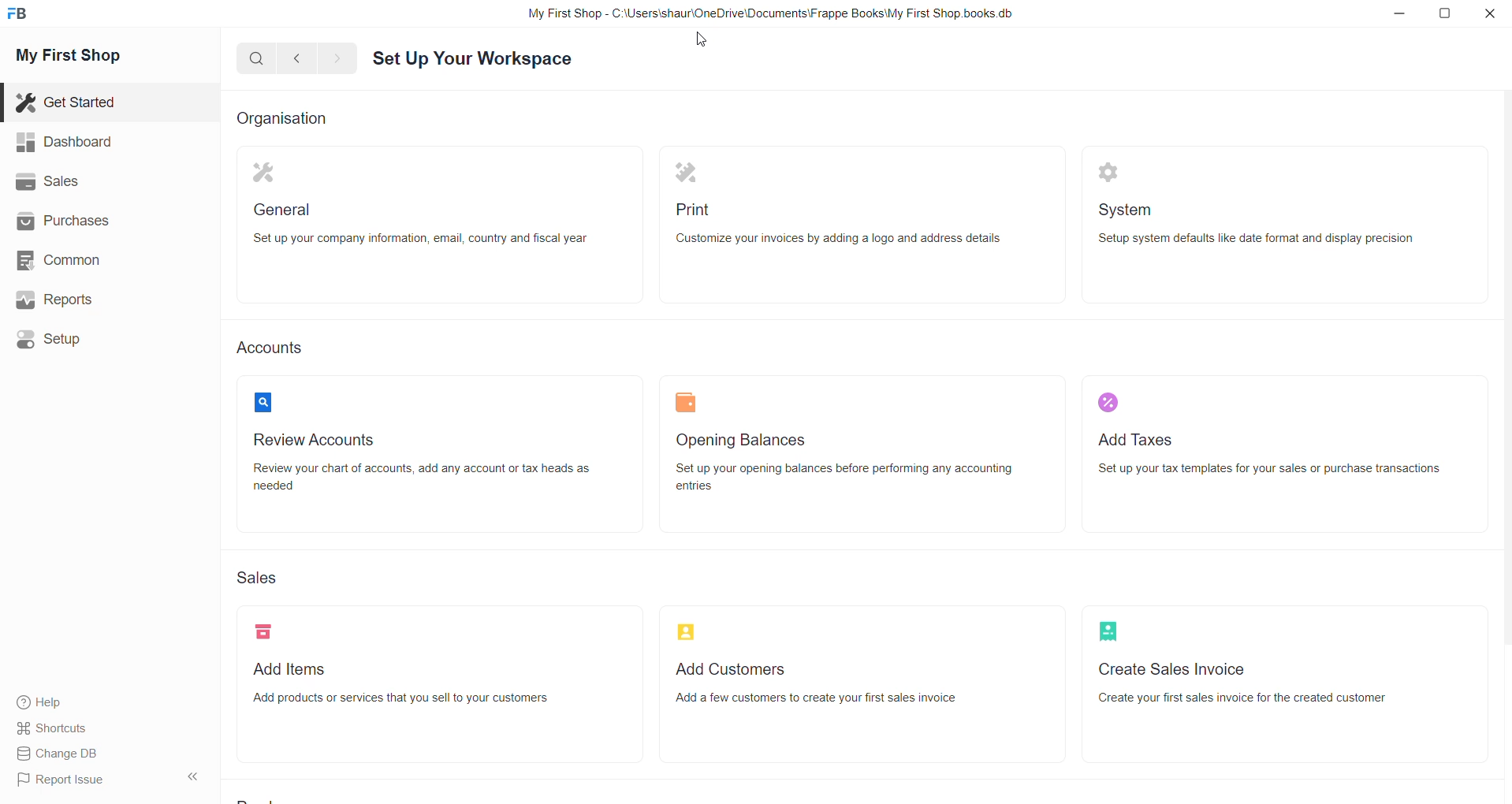  I want to click on Get Started, so click(77, 101).